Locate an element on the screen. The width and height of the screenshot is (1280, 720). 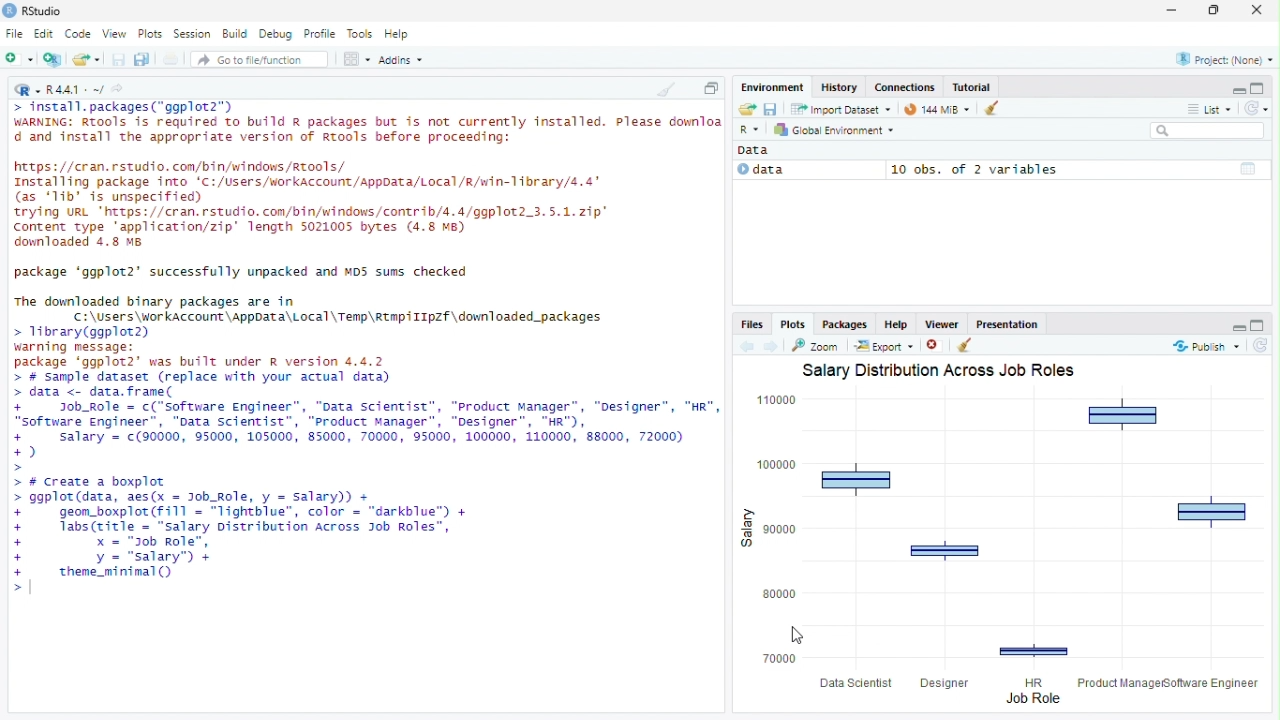
Global environment is located at coordinates (834, 129).